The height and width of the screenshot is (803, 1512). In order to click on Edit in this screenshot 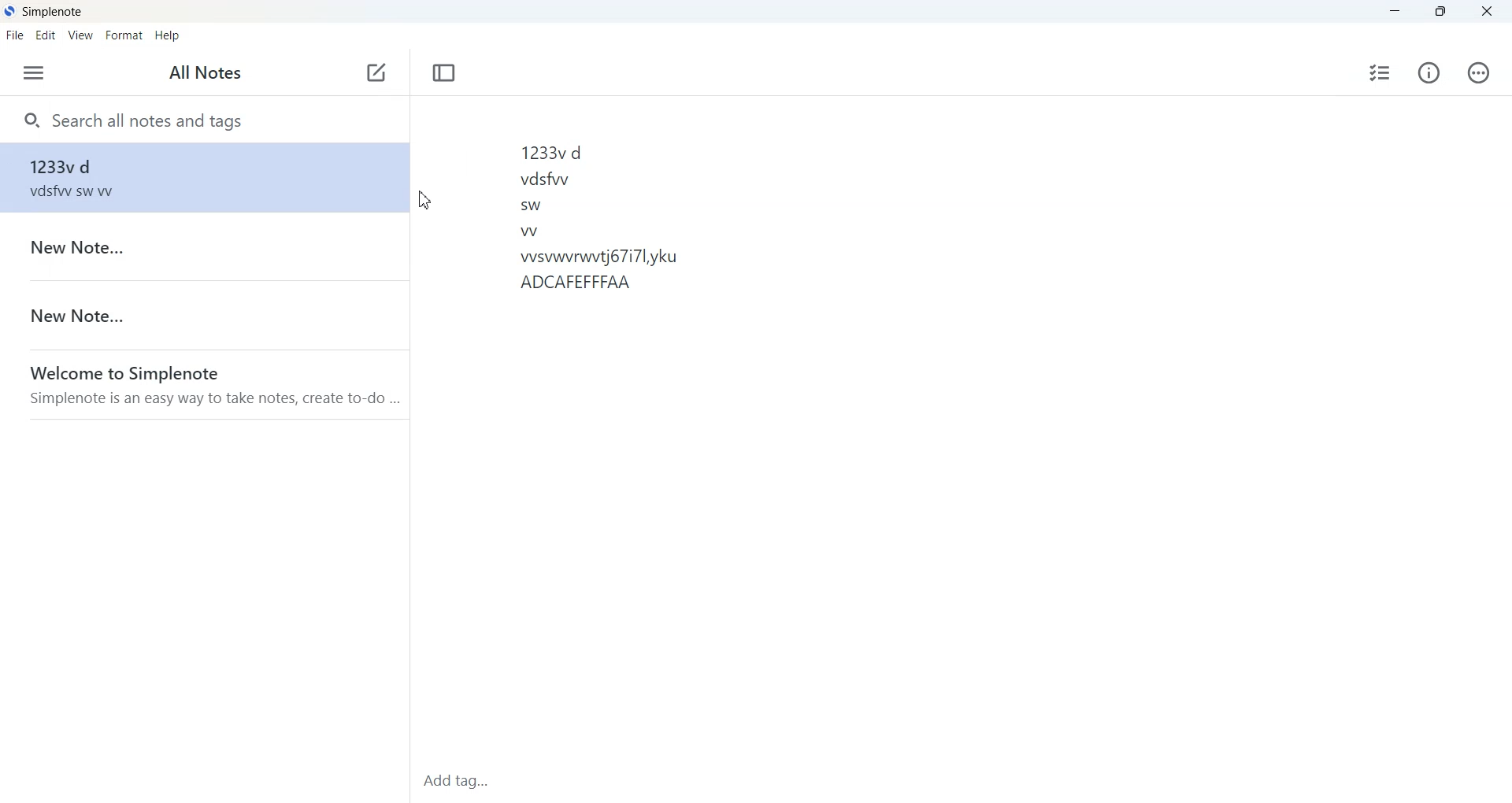, I will do `click(46, 36)`.